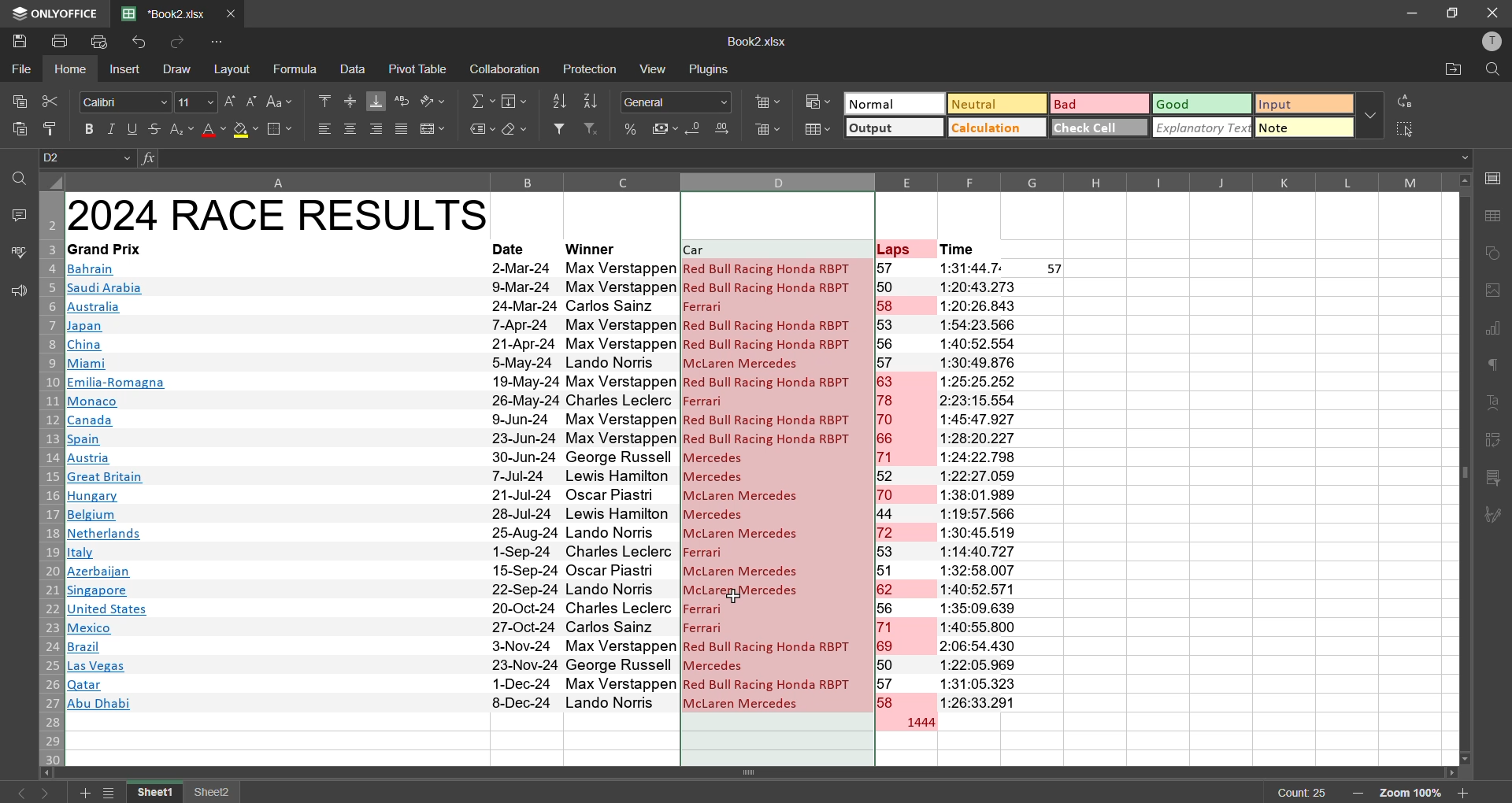 Image resolution: width=1512 pixels, height=803 pixels. What do you see at coordinates (756, 40) in the screenshot?
I see `filename` at bounding box center [756, 40].